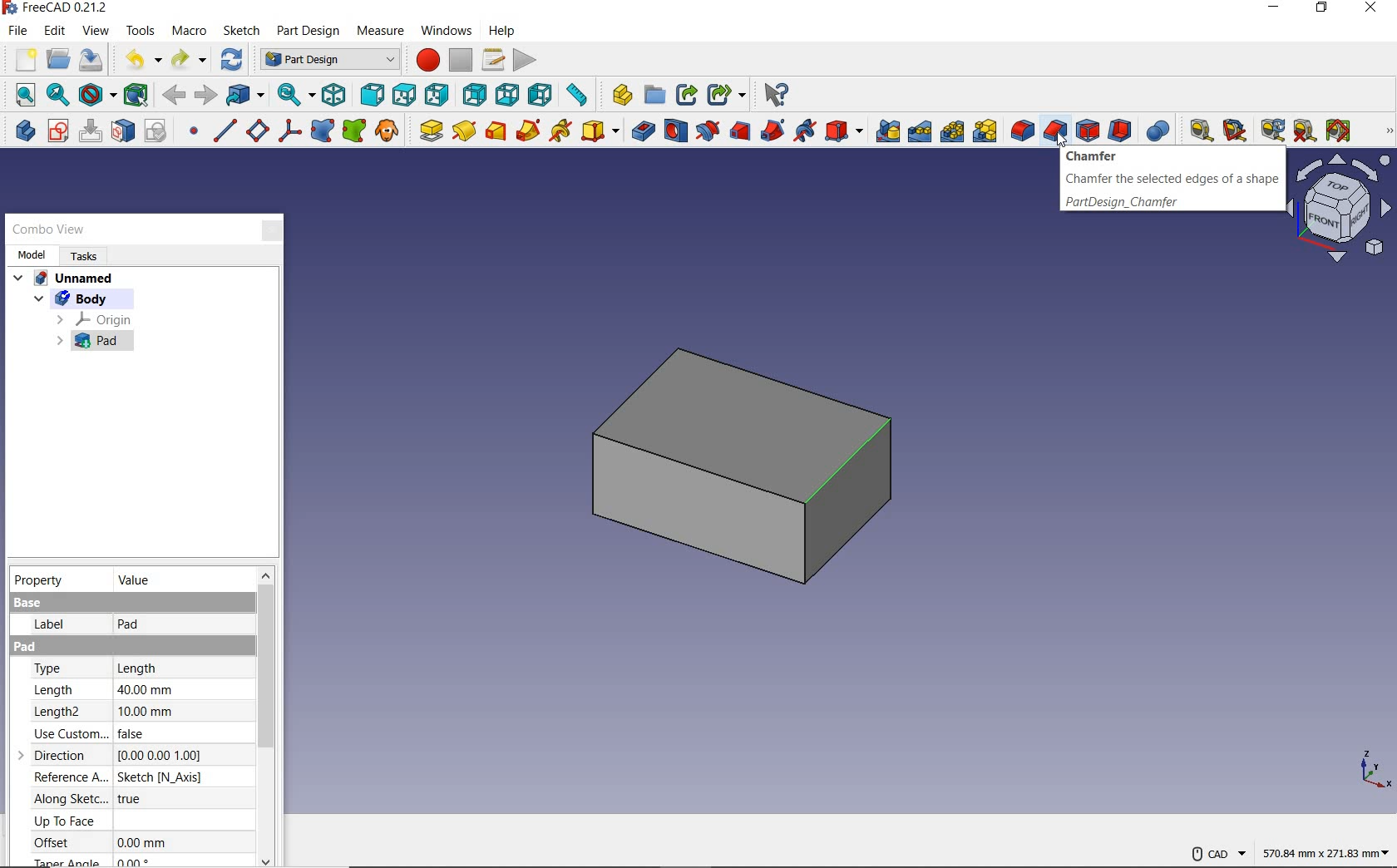  What do you see at coordinates (69, 776) in the screenshot?
I see `Reference A...` at bounding box center [69, 776].